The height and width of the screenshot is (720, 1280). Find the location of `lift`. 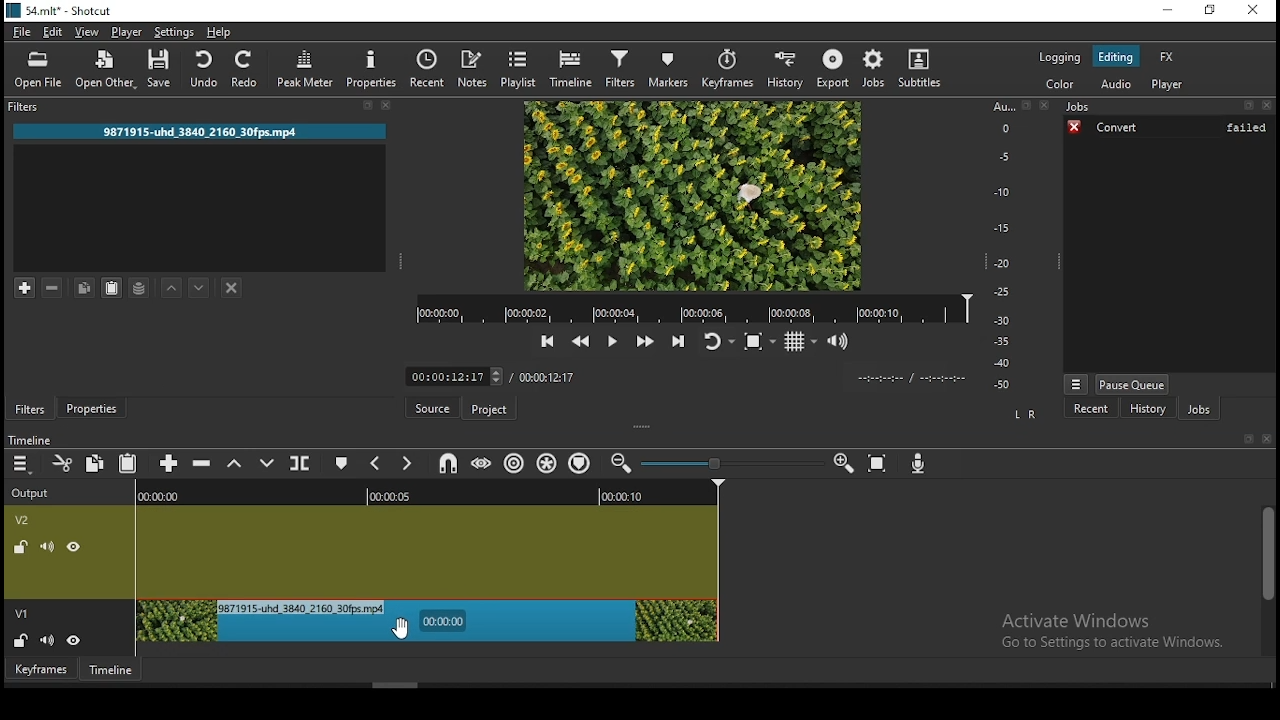

lift is located at coordinates (234, 466).